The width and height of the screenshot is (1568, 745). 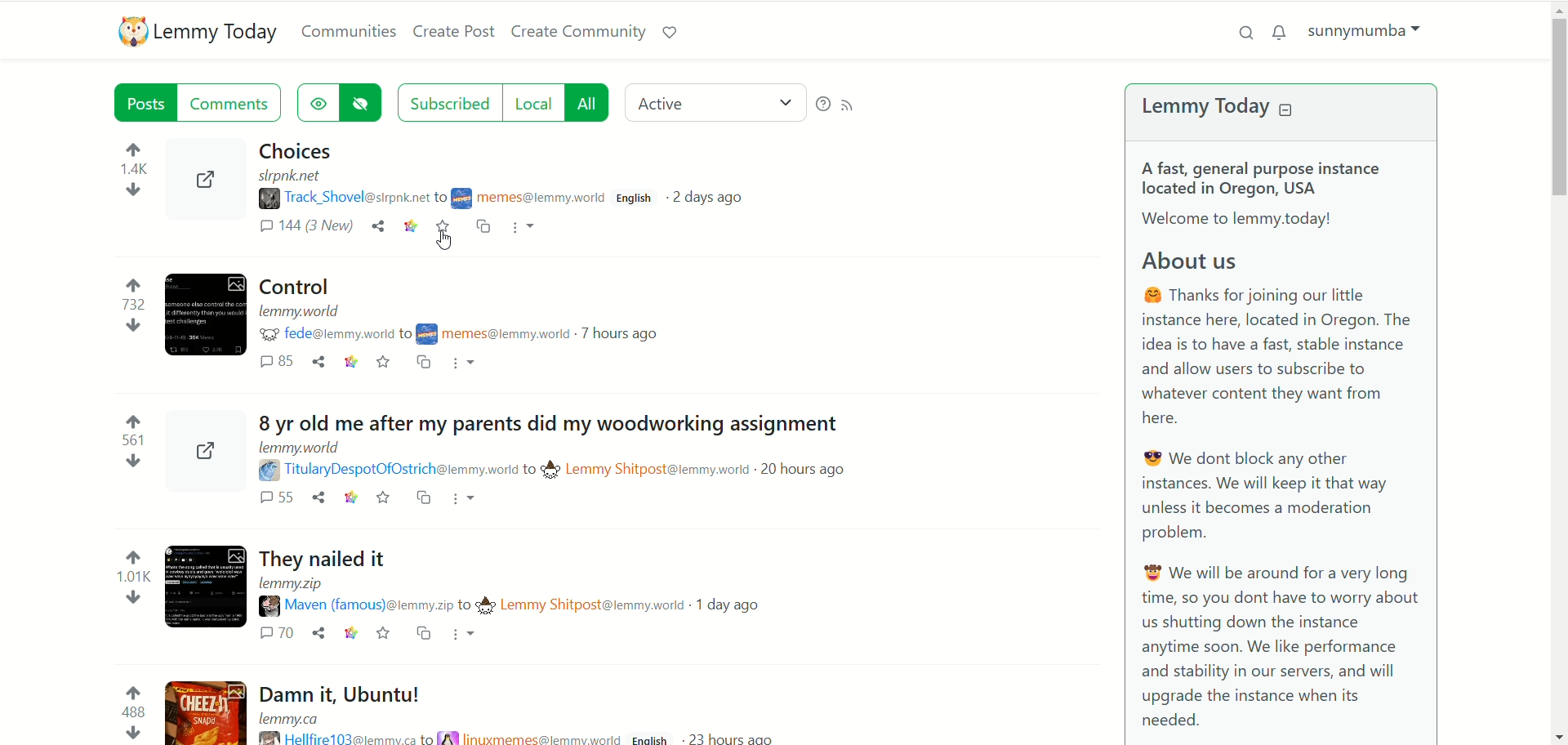 I want to click on all, so click(x=590, y=104).